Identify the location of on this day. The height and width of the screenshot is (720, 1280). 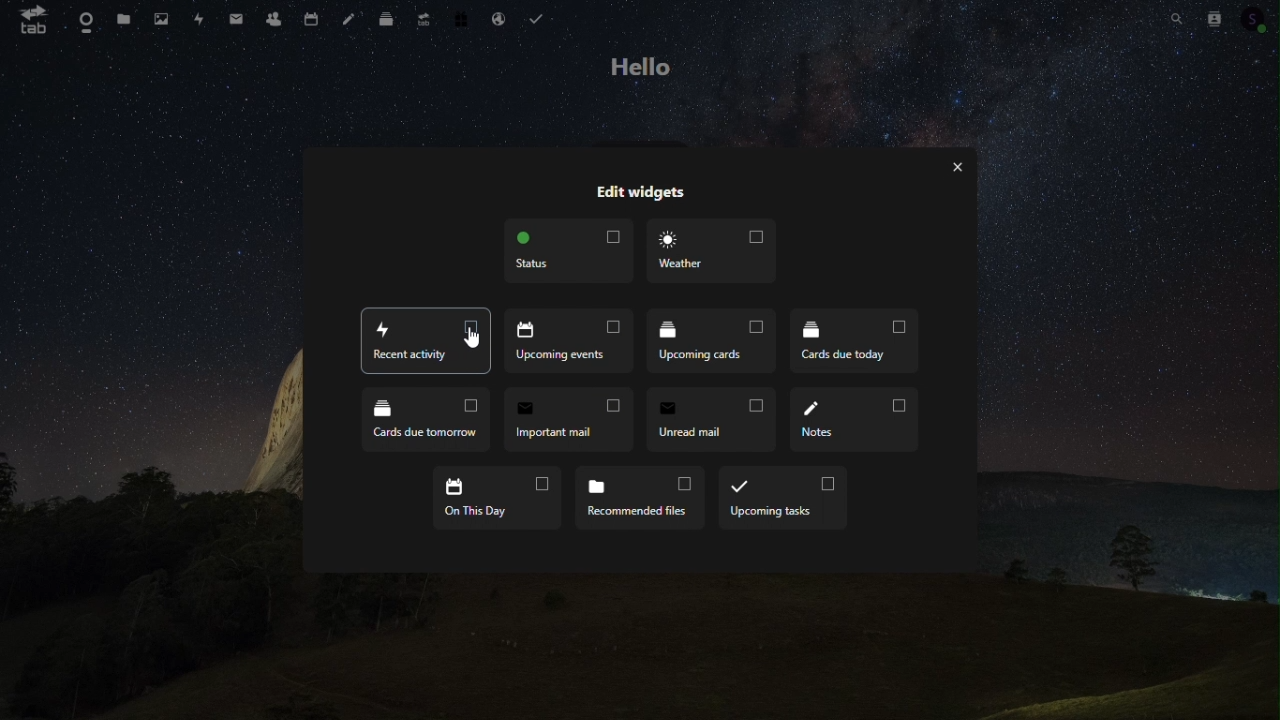
(500, 500).